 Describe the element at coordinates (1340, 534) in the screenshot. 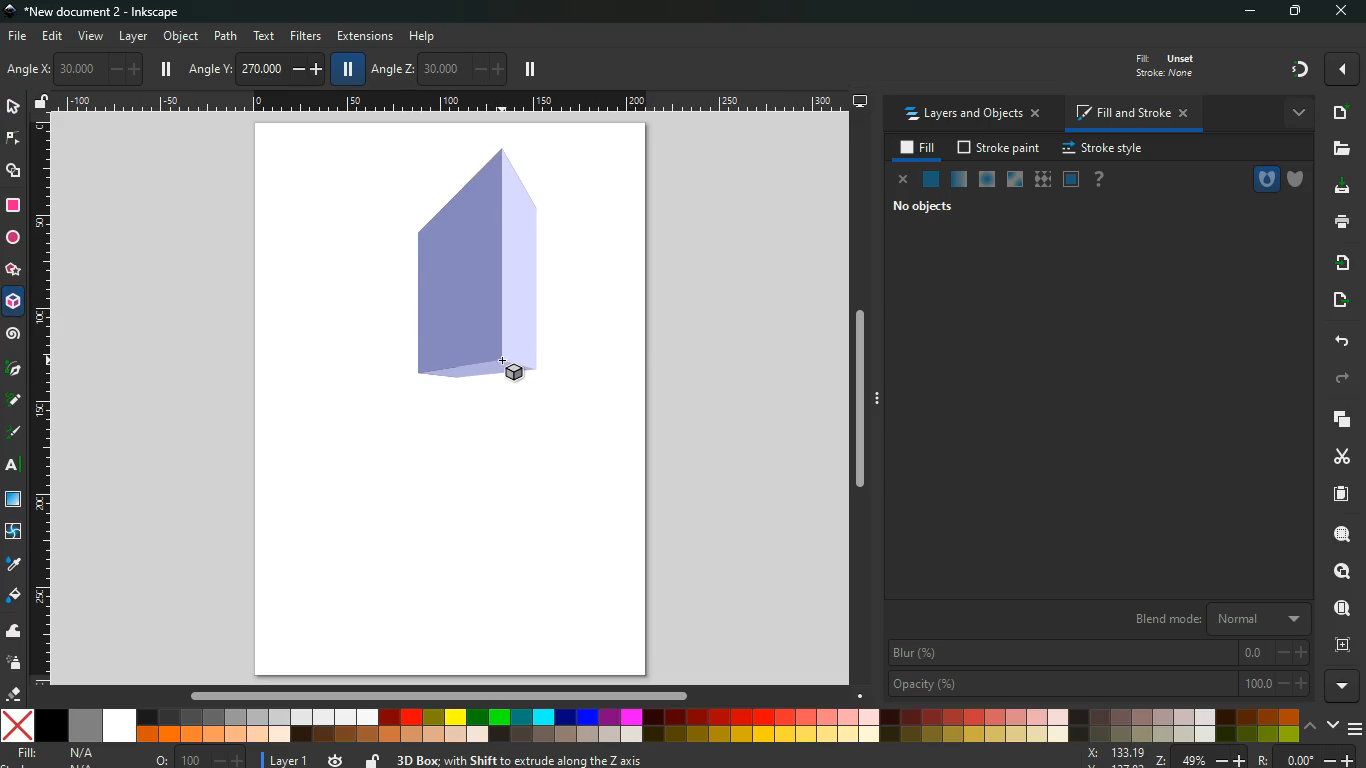

I see `search` at that location.